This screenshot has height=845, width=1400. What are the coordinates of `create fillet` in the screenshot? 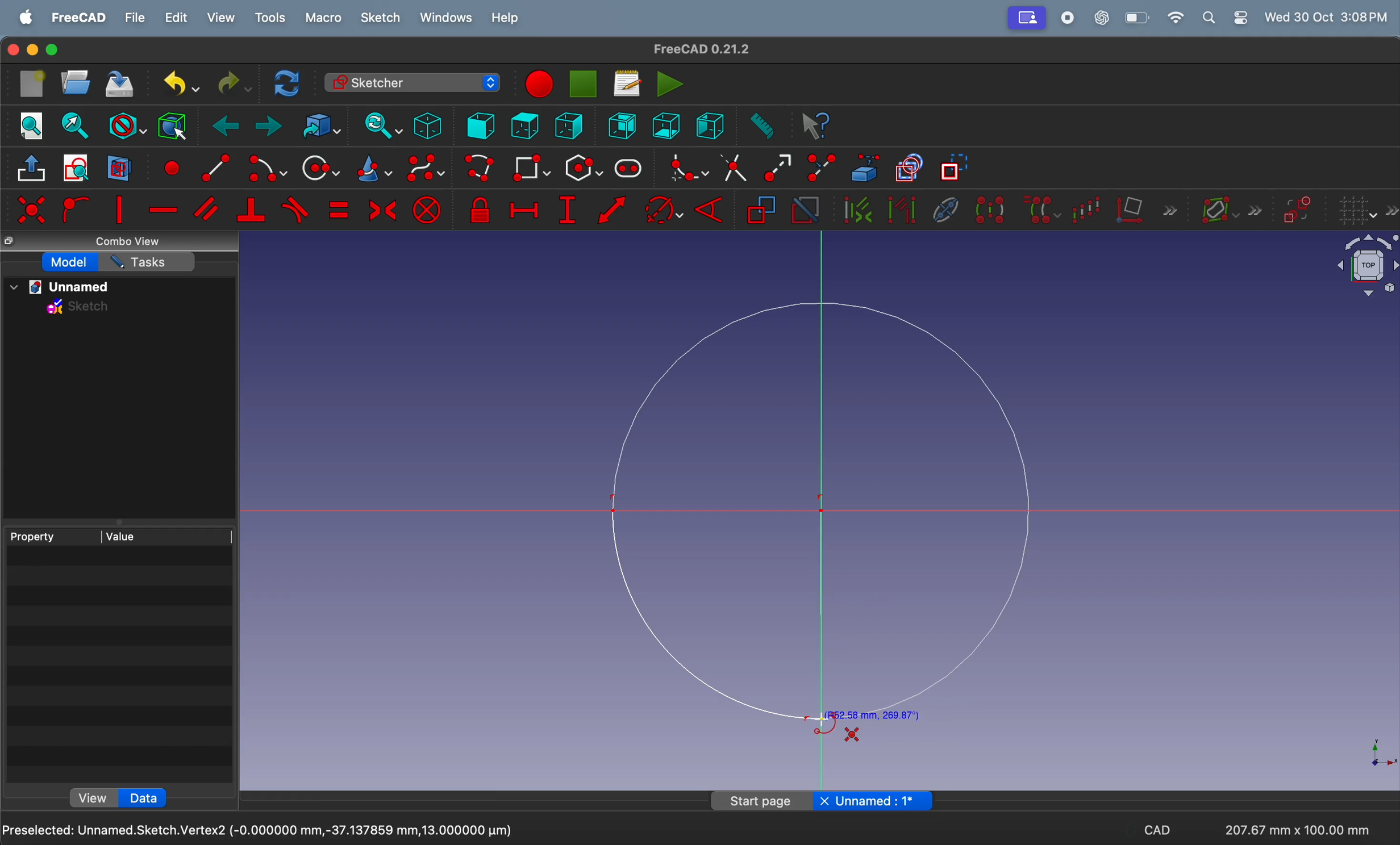 It's located at (685, 168).